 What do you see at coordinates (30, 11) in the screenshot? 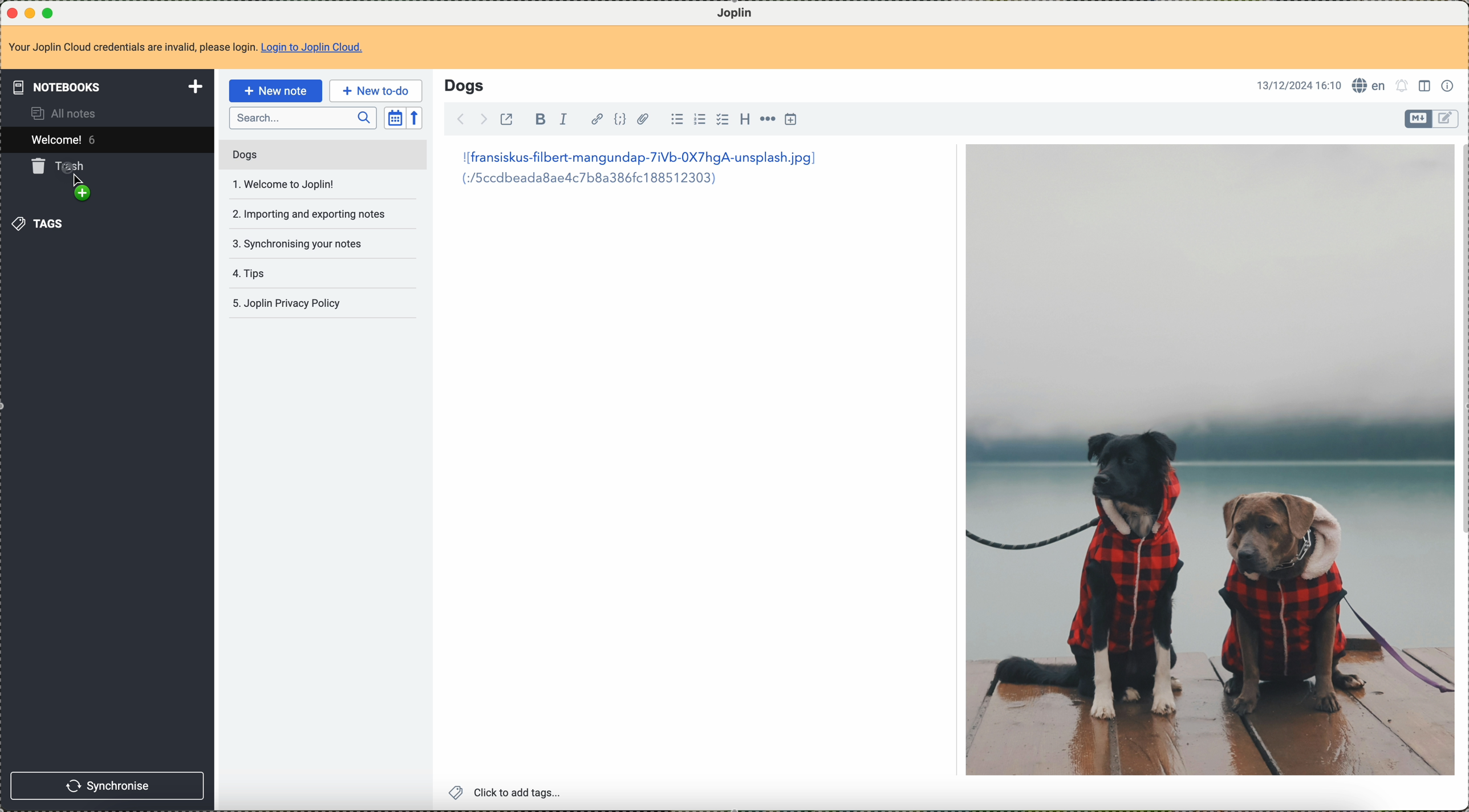
I see `minimize program` at bounding box center [30, 11].